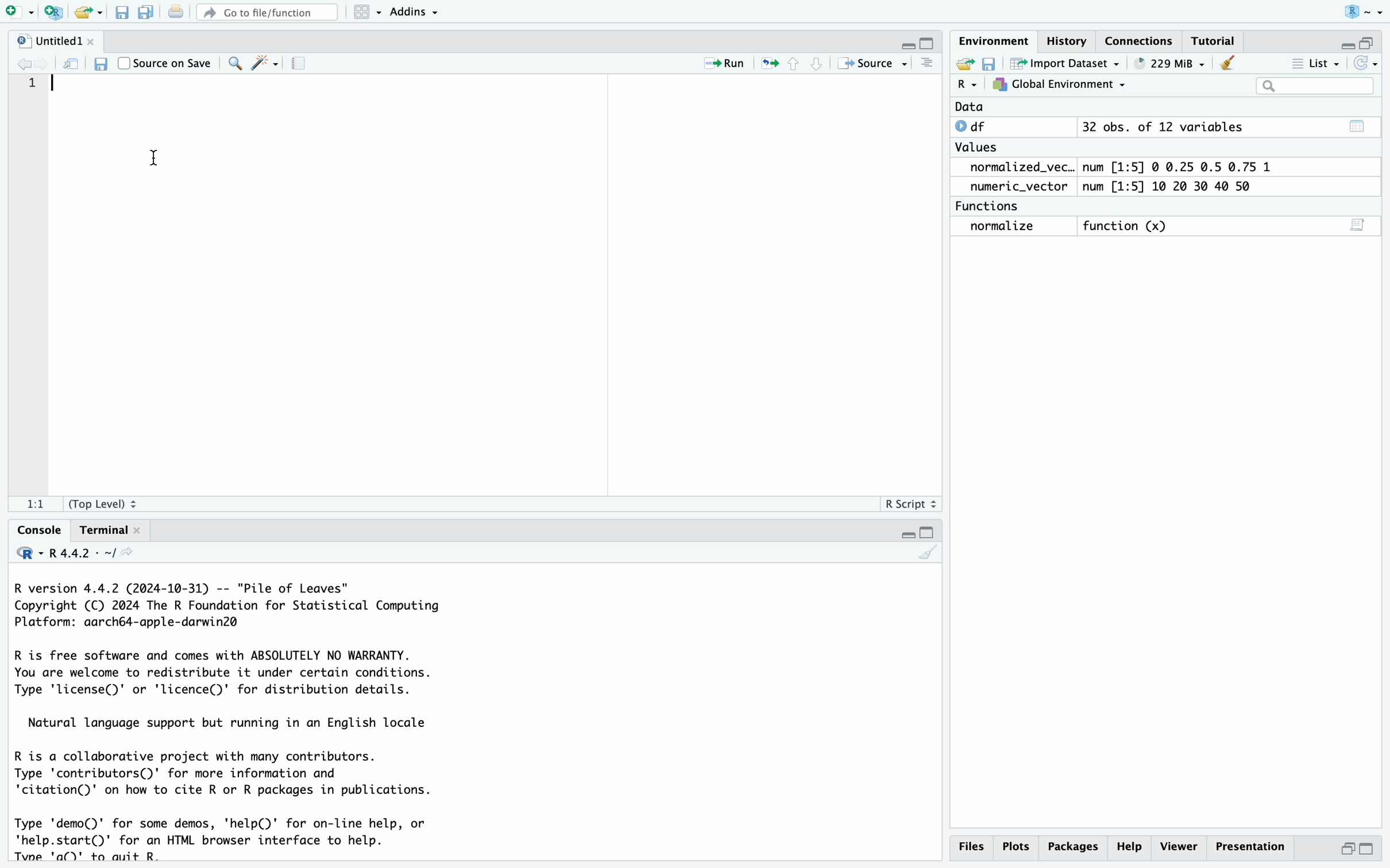 The width and height of the screenshot is (1390, 868). I want to click on new file, so click(17, 12).